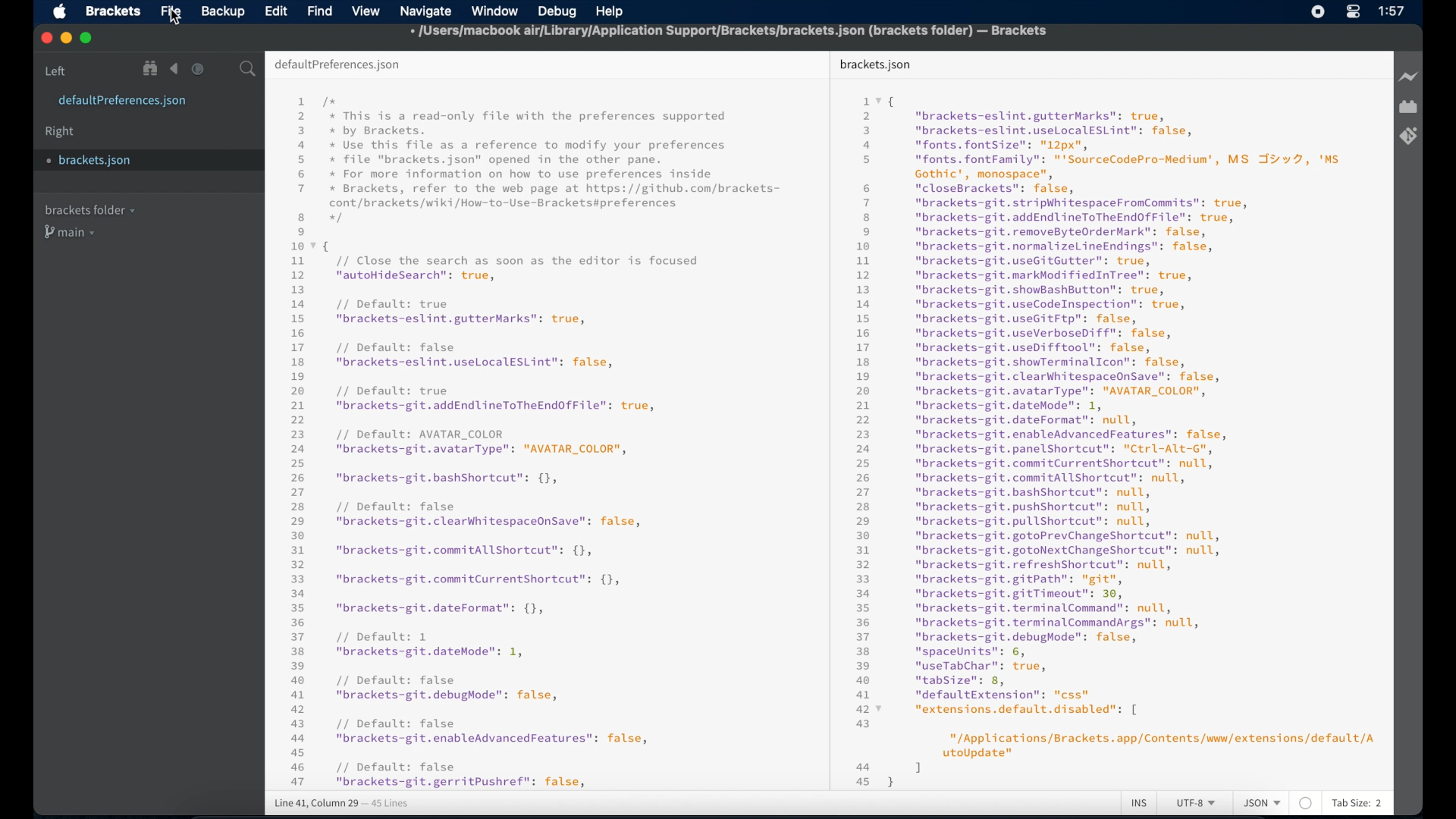 Image resolution: width=1456 pixels, height=819 pixels. What do you see at coordinates (66, 39) in the screenshot?
I see `minimize` at bounding box center [66, 39].